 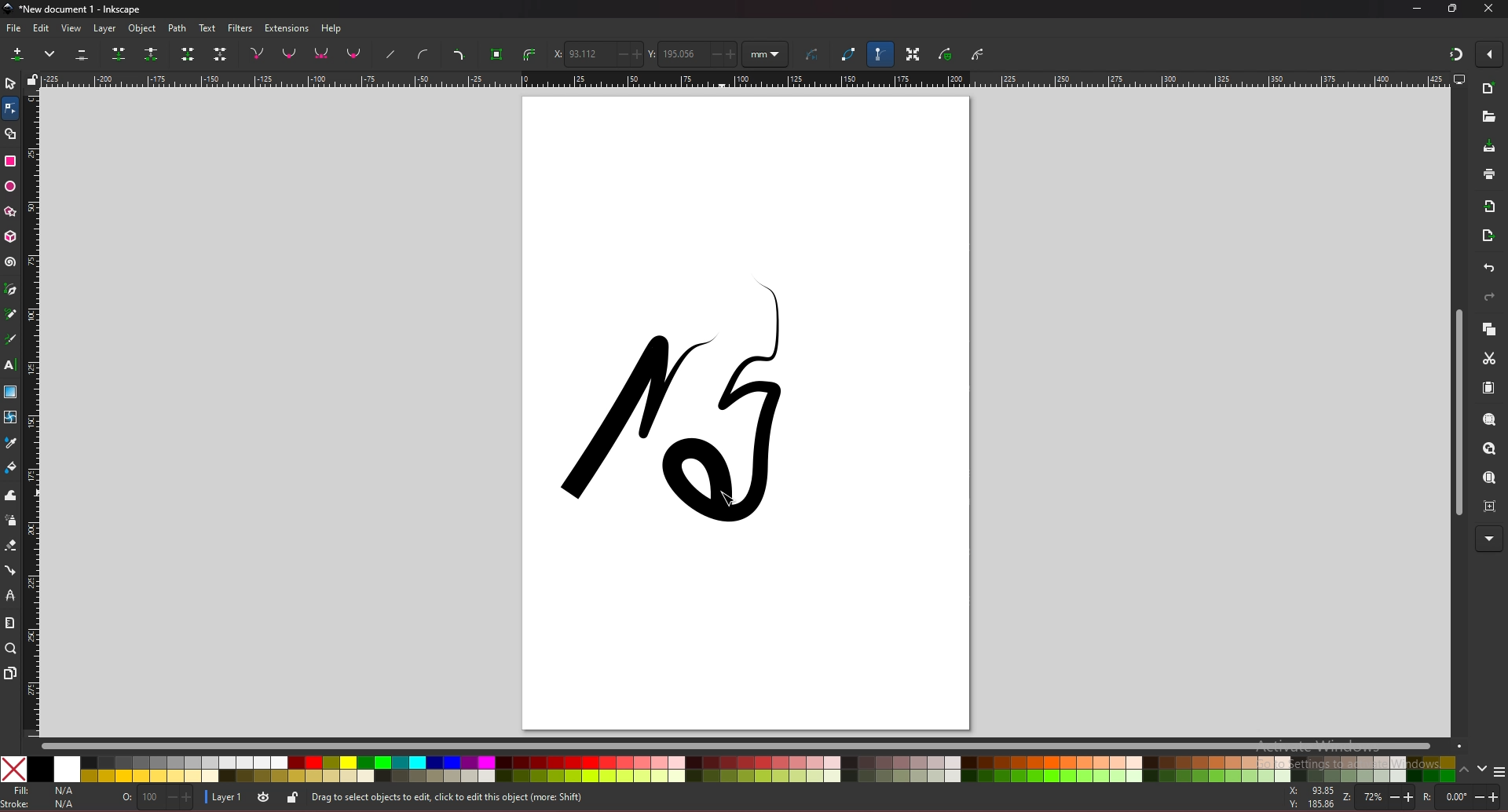 I want to click on object, so click(x=144, y=29).